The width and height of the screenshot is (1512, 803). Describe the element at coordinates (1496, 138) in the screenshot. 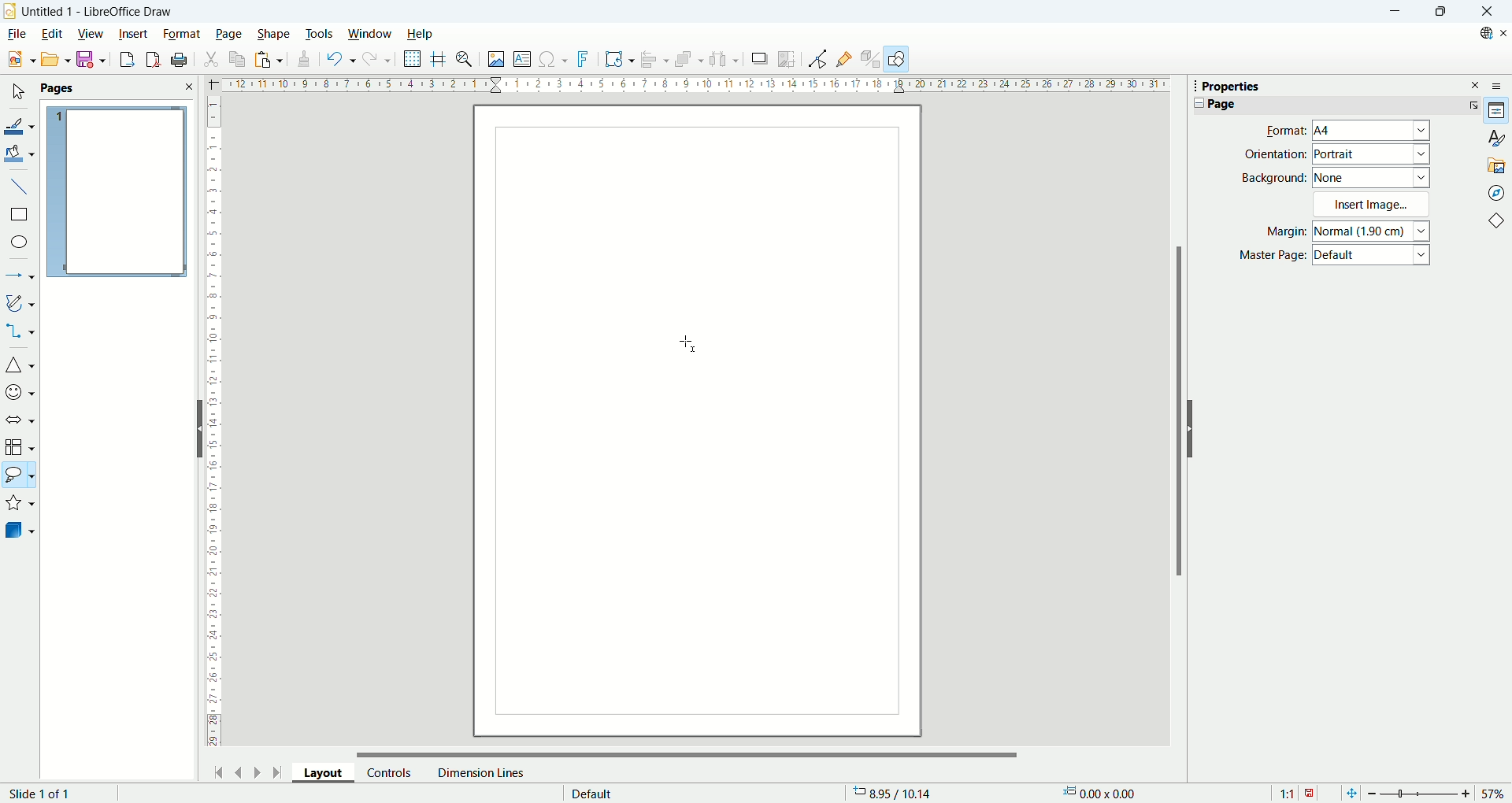

I see `Styles` at that location.